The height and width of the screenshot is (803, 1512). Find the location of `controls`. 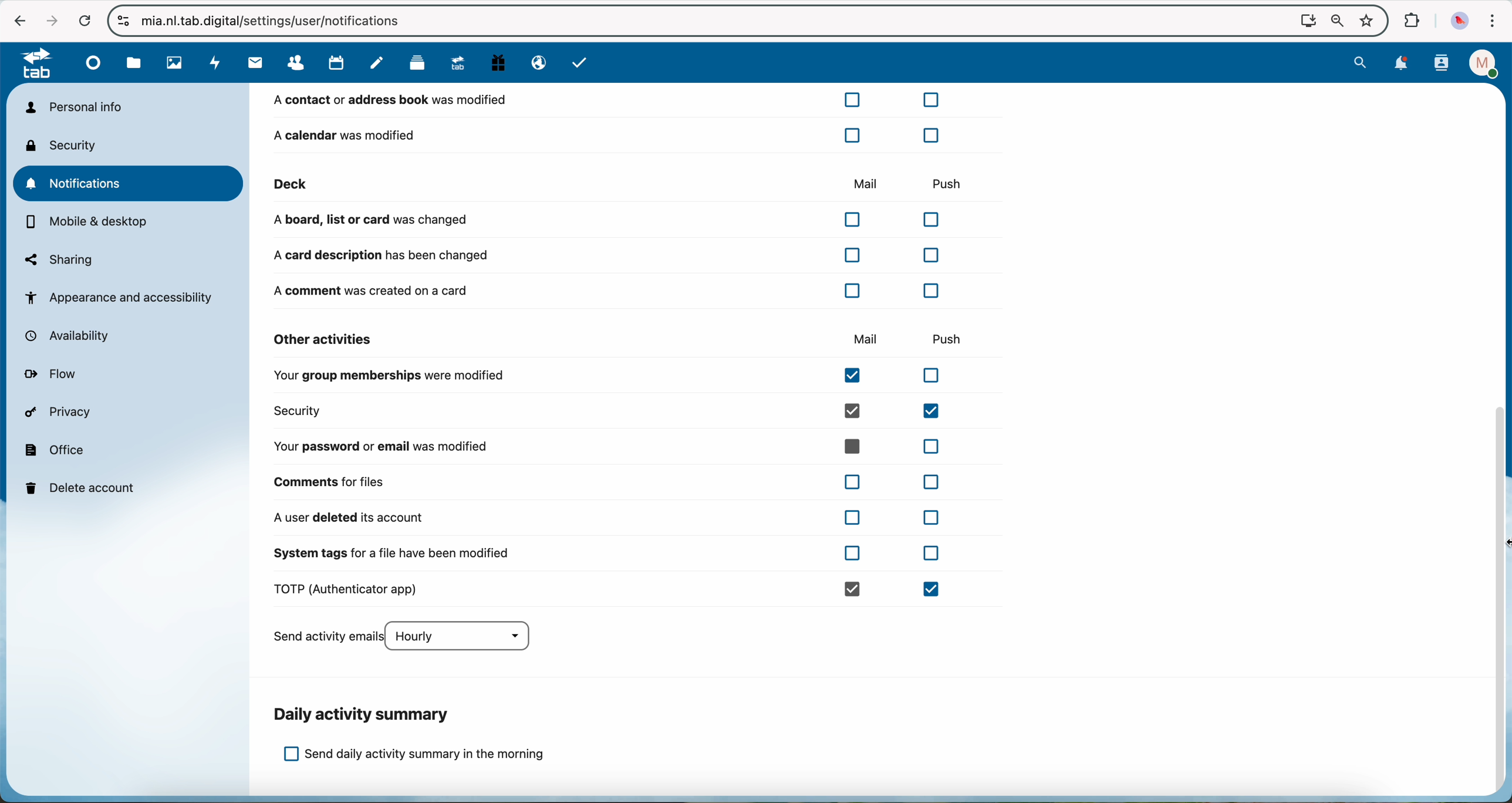

controls is located at coordinates (124, 21).